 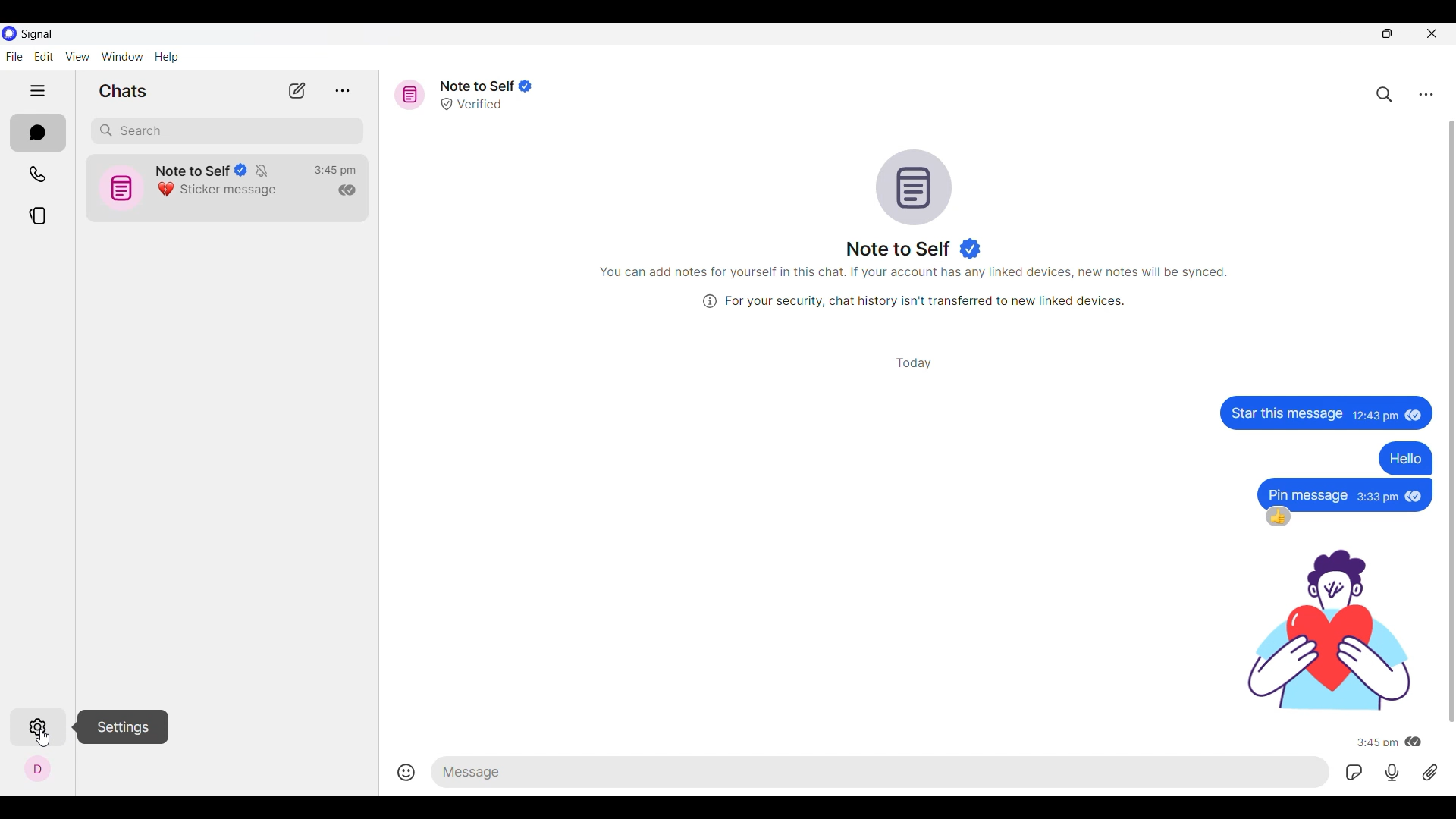 I want to click on Search box, so click(x=227, y=131).